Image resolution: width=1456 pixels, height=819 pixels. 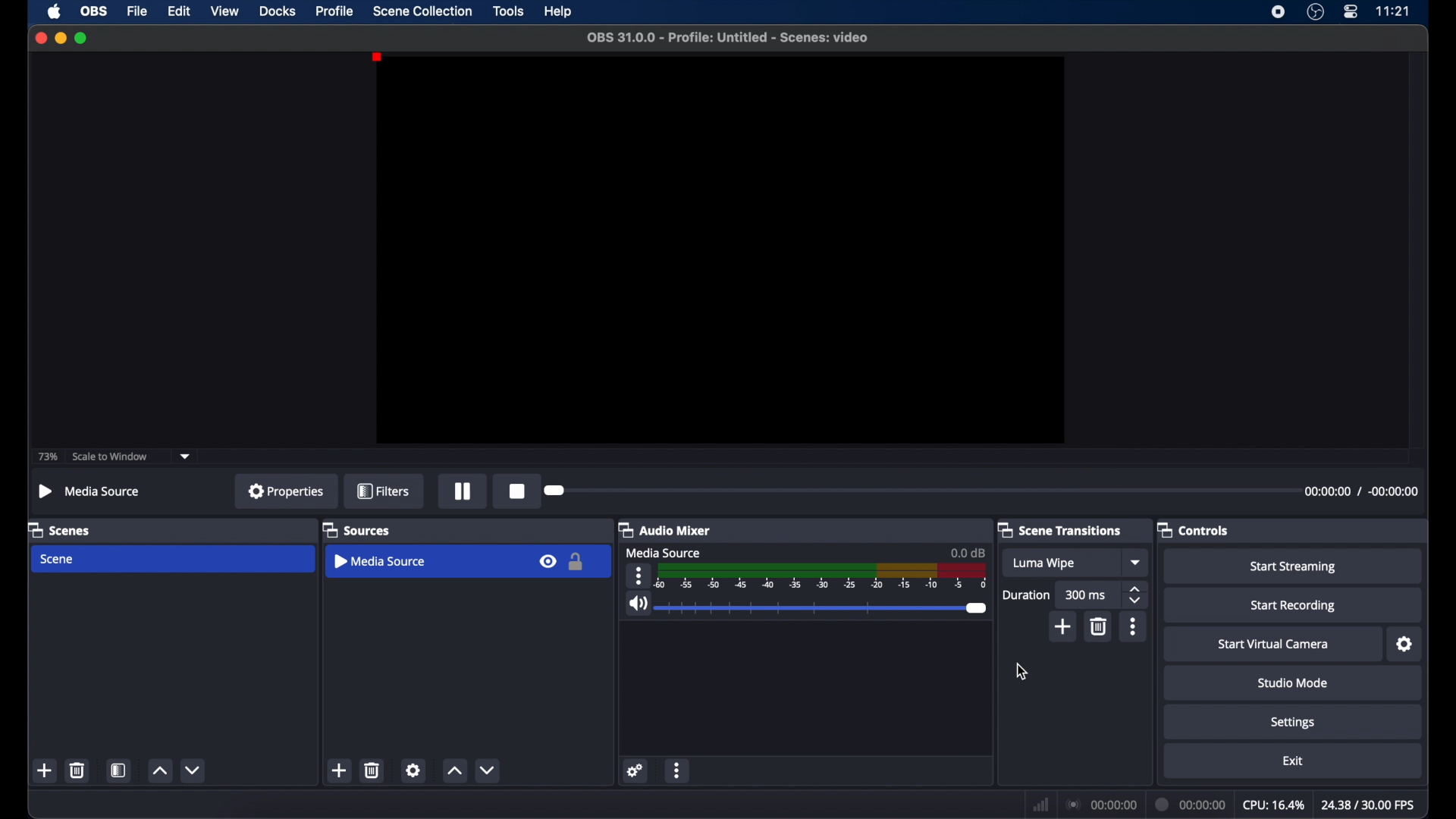 What do you see at coordinates (1274, 805) in the screenshot?
I see `cpu` at bounding box center [1274, 805].